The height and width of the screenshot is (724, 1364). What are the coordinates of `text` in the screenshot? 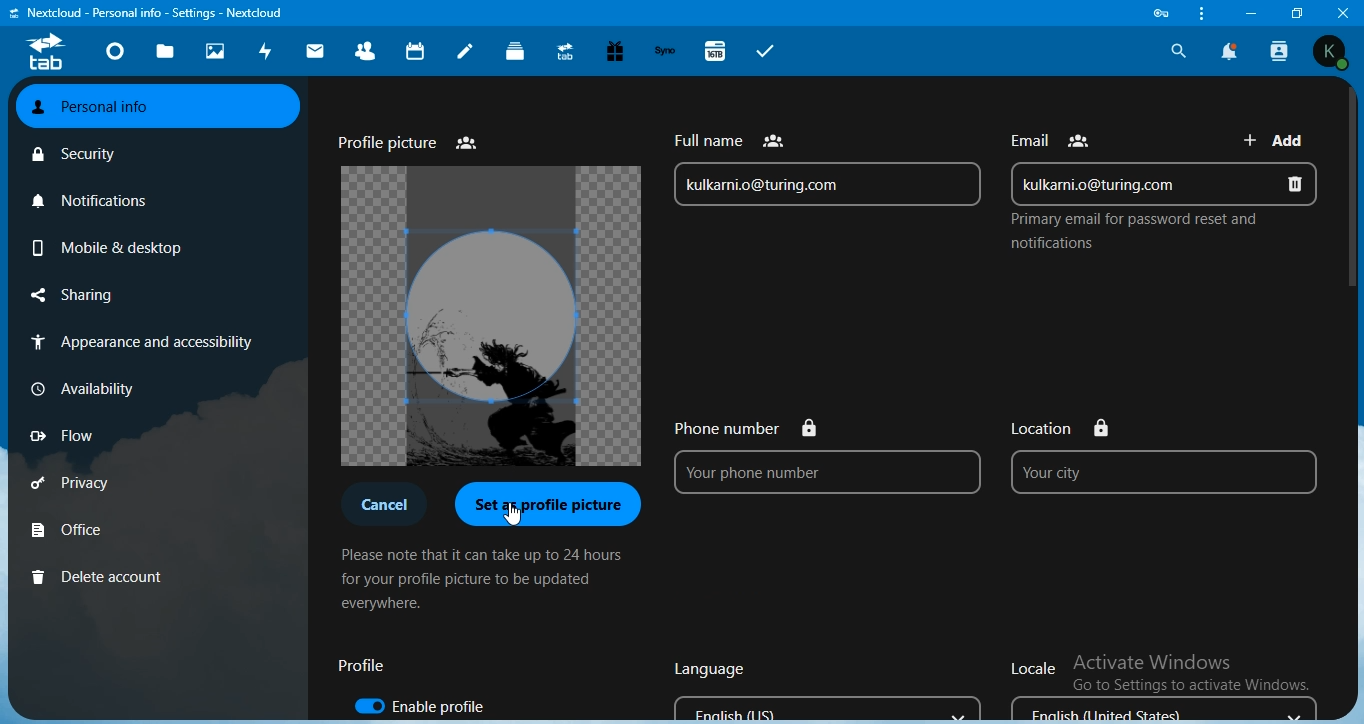 It's located at (380, 507).